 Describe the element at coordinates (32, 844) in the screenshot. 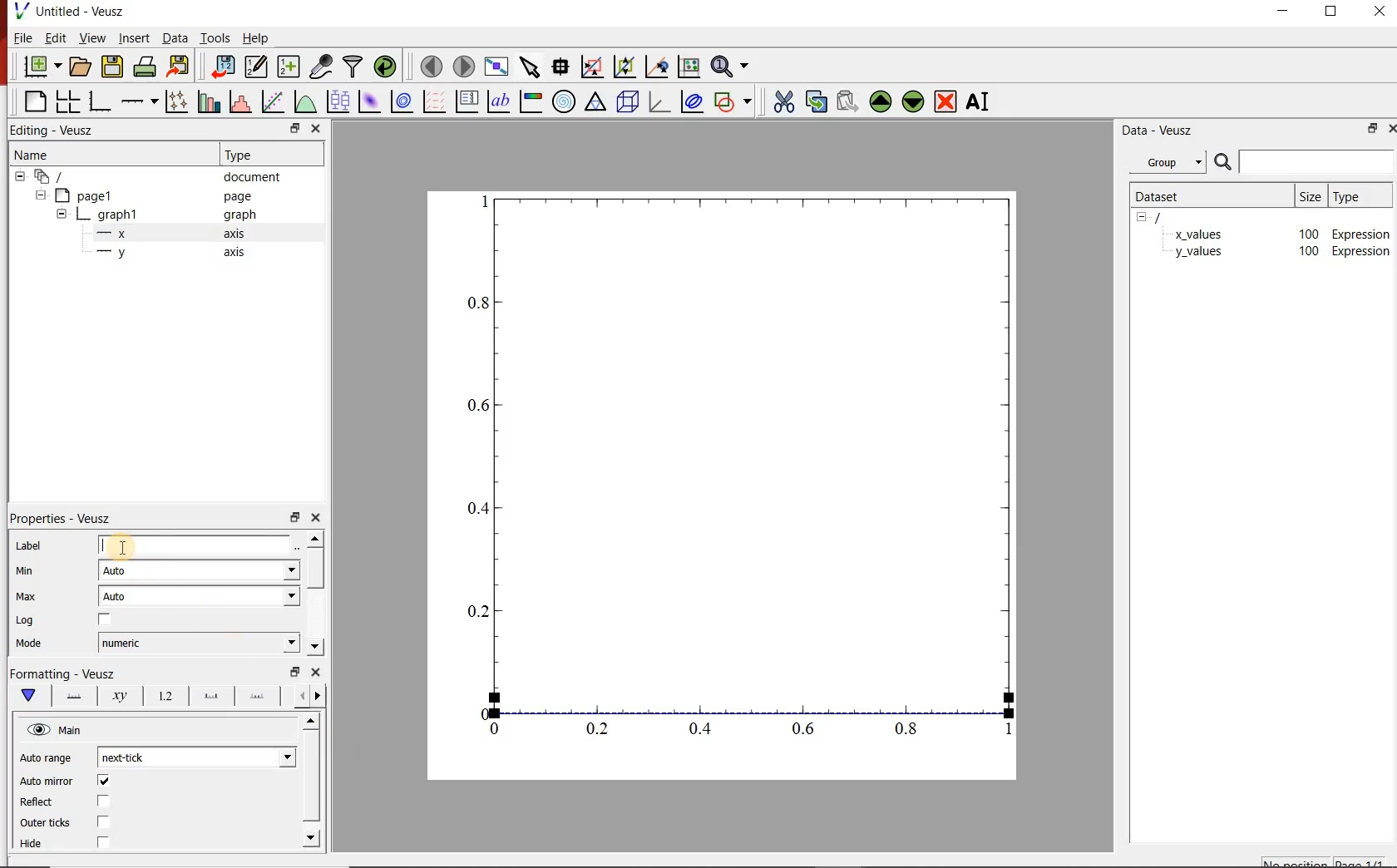

I see `Hide` at that location.